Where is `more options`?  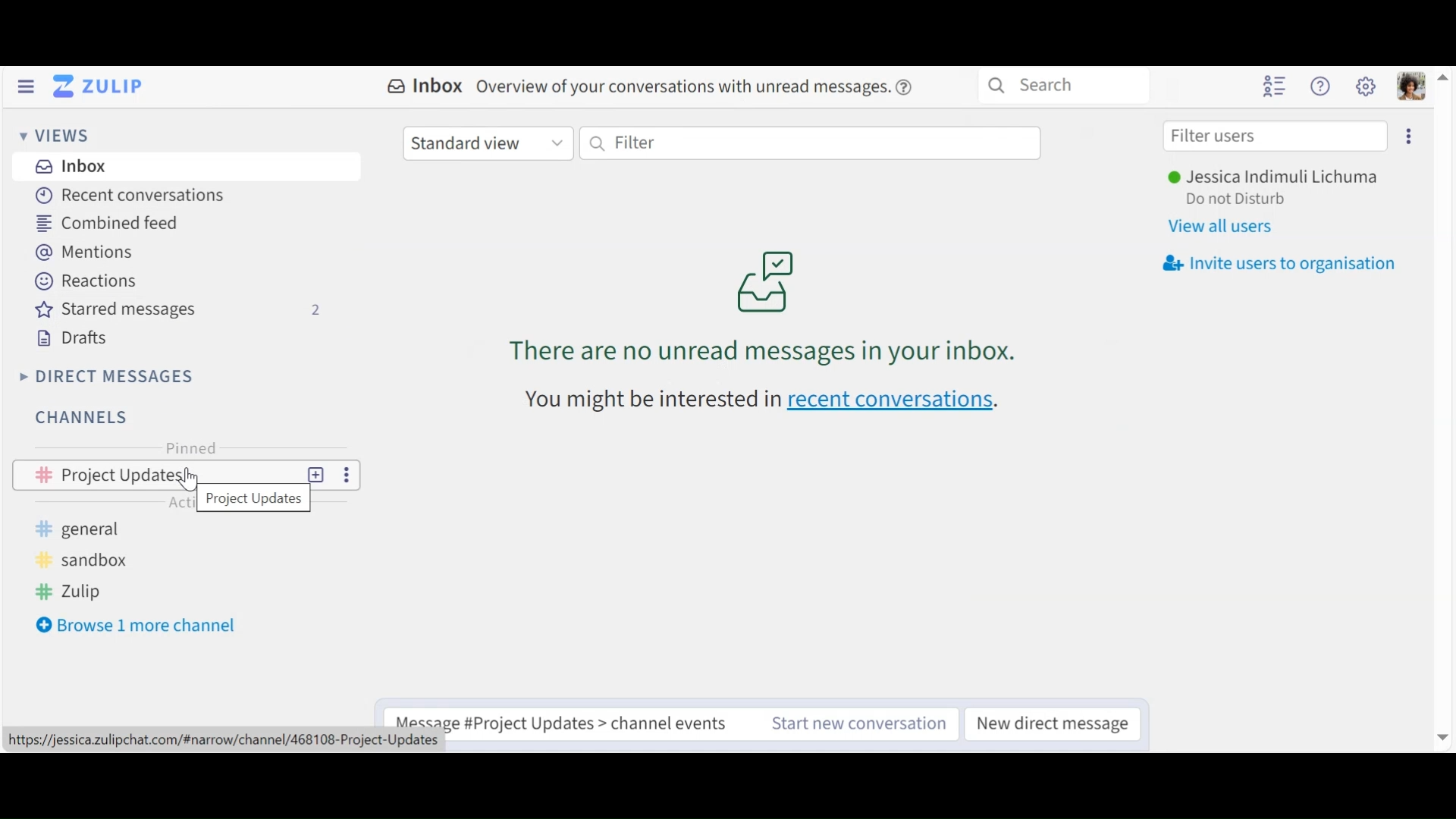
more options is located at coordinates (347, 475).